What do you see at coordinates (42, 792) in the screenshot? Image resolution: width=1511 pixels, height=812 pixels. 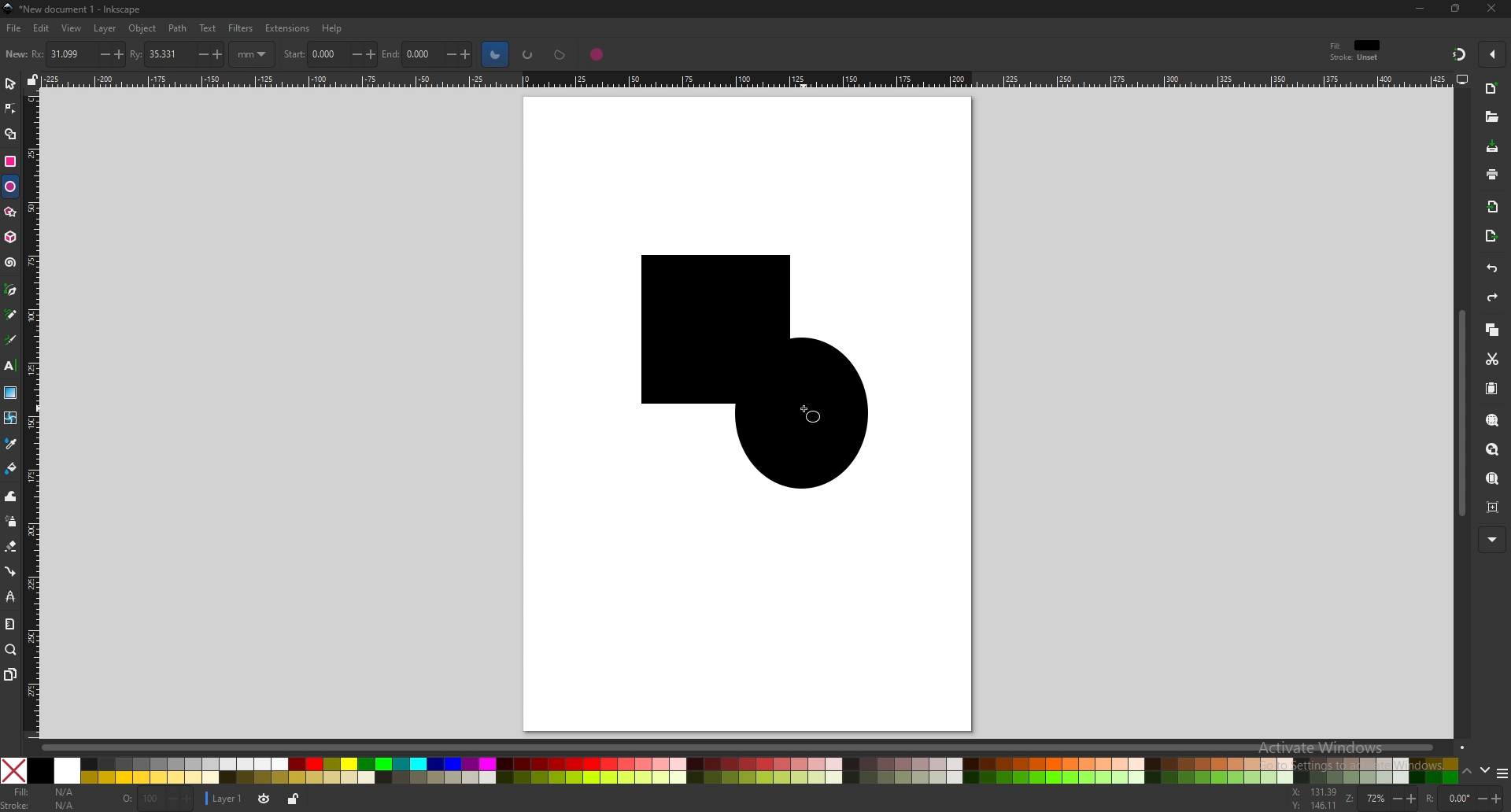 I see `fill` at bounding box center [42, 792].